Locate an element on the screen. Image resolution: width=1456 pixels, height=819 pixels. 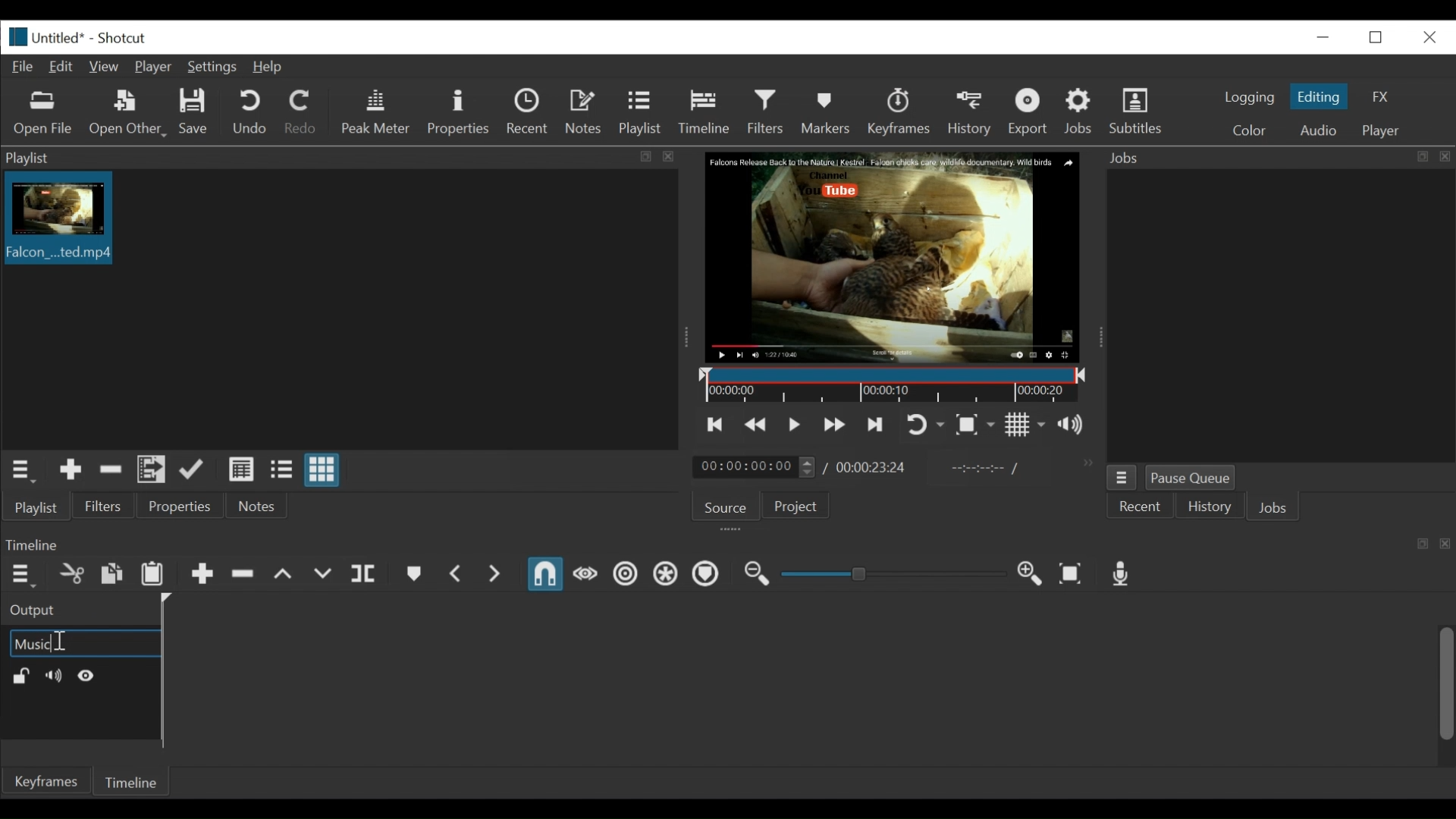
Filters is located at coordinates (108, 507).